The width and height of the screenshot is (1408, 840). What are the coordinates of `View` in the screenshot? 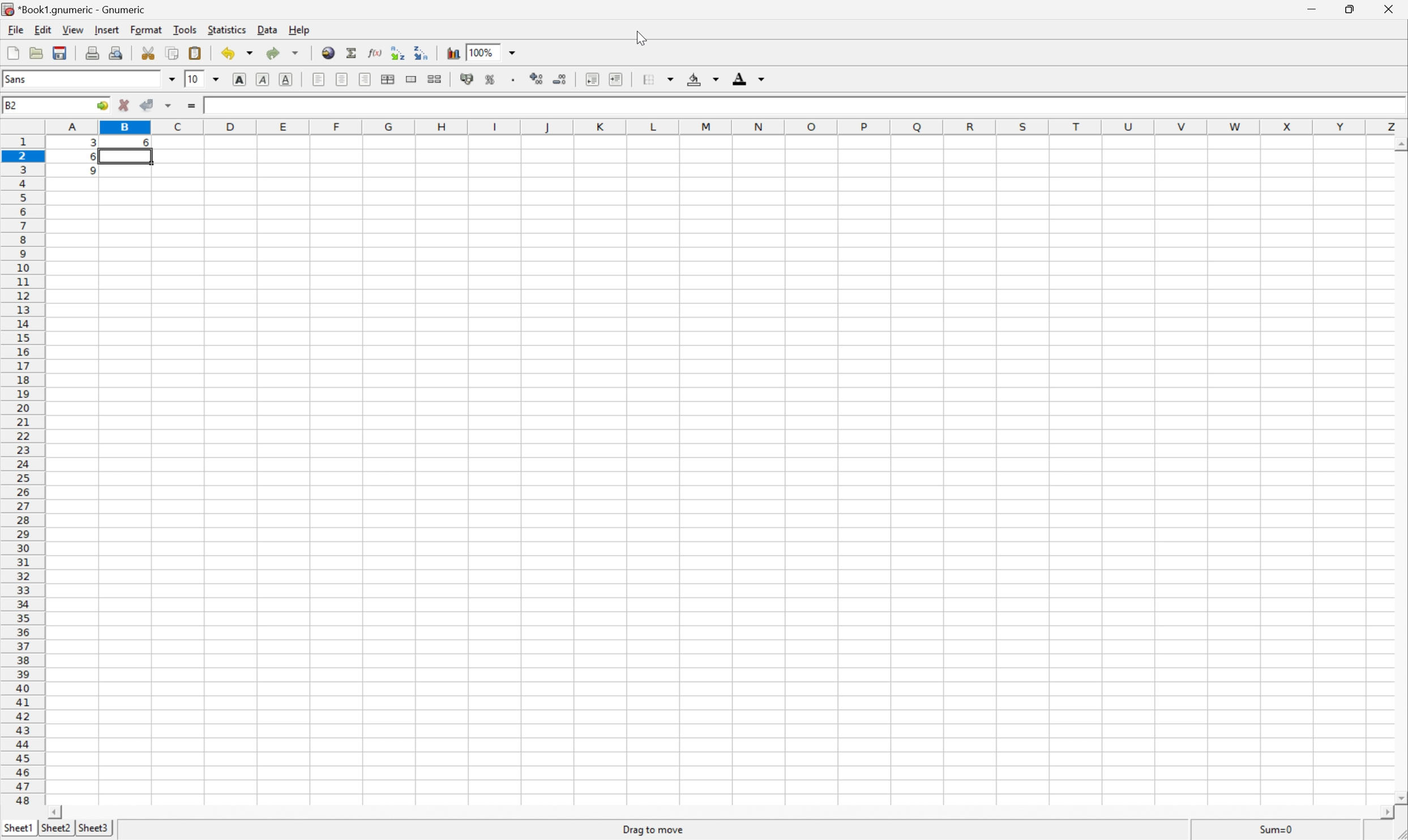 It's located at (71, 29).